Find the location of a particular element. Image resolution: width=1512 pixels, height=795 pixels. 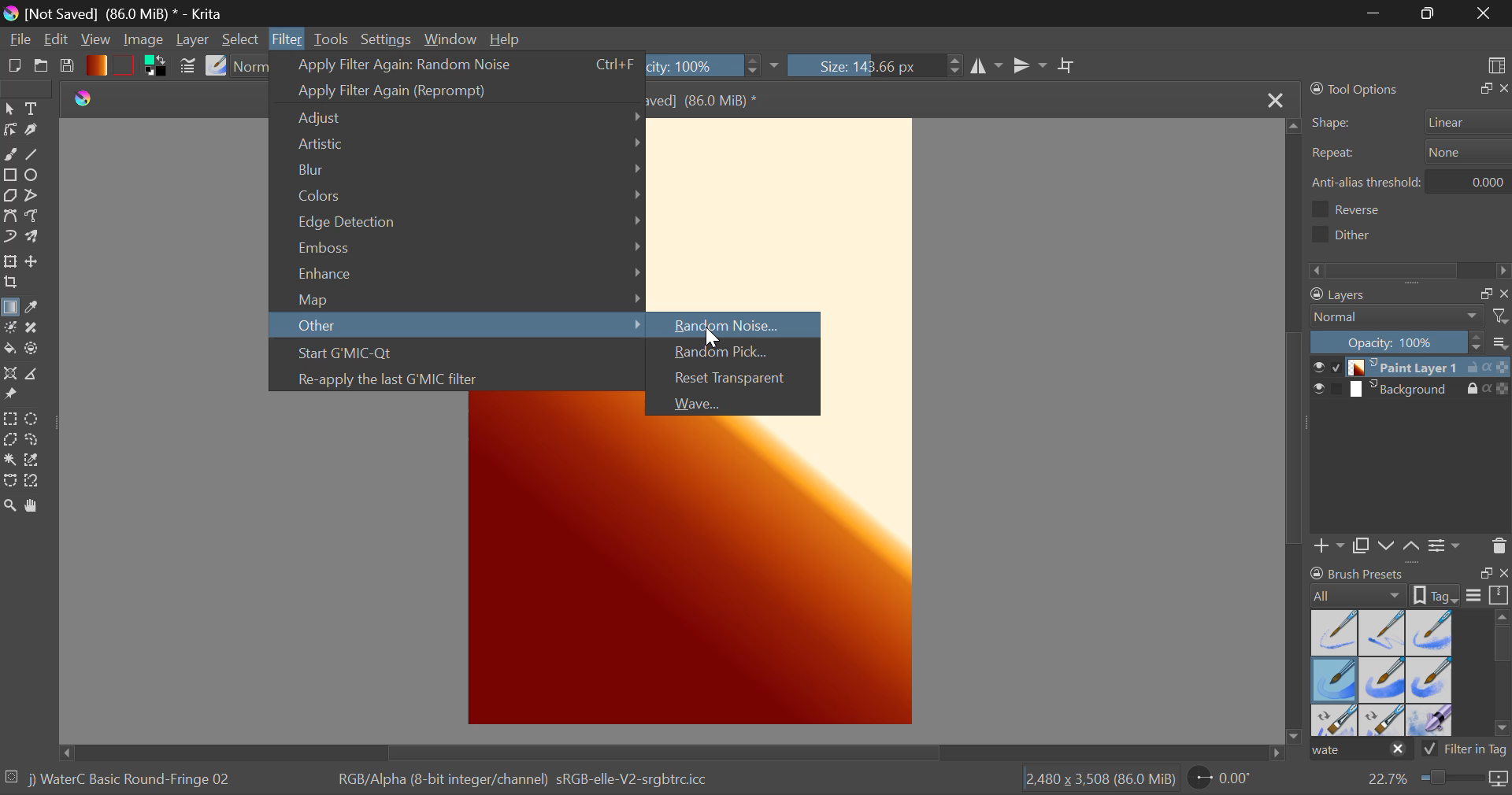

move right is located at coordinates (1273, 754).